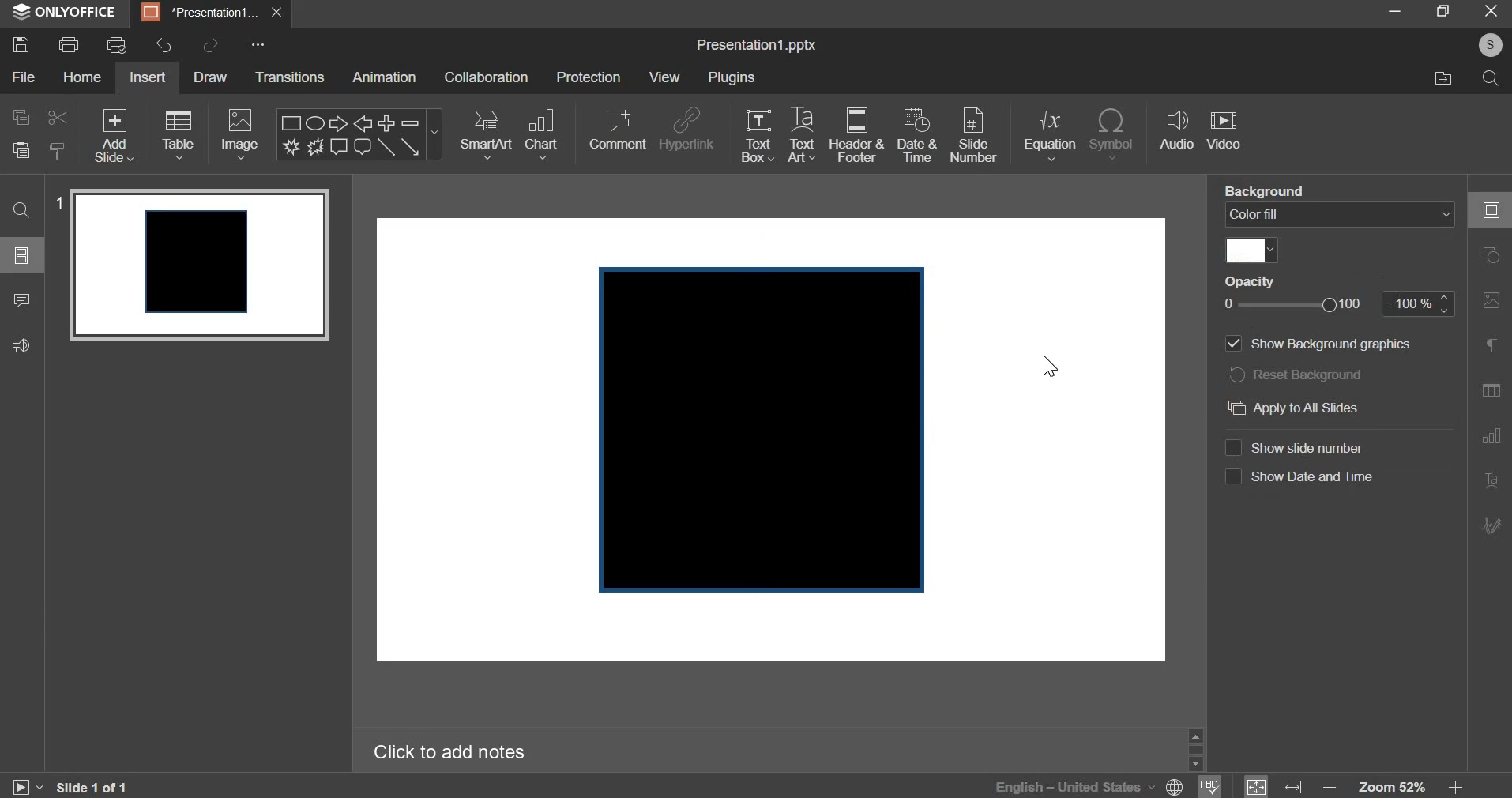 Image resolution: width=1512 pixels, height=798 pixels. Describe the element at coordinates (212, 46) in the screenshot. I see `redo` at that location.